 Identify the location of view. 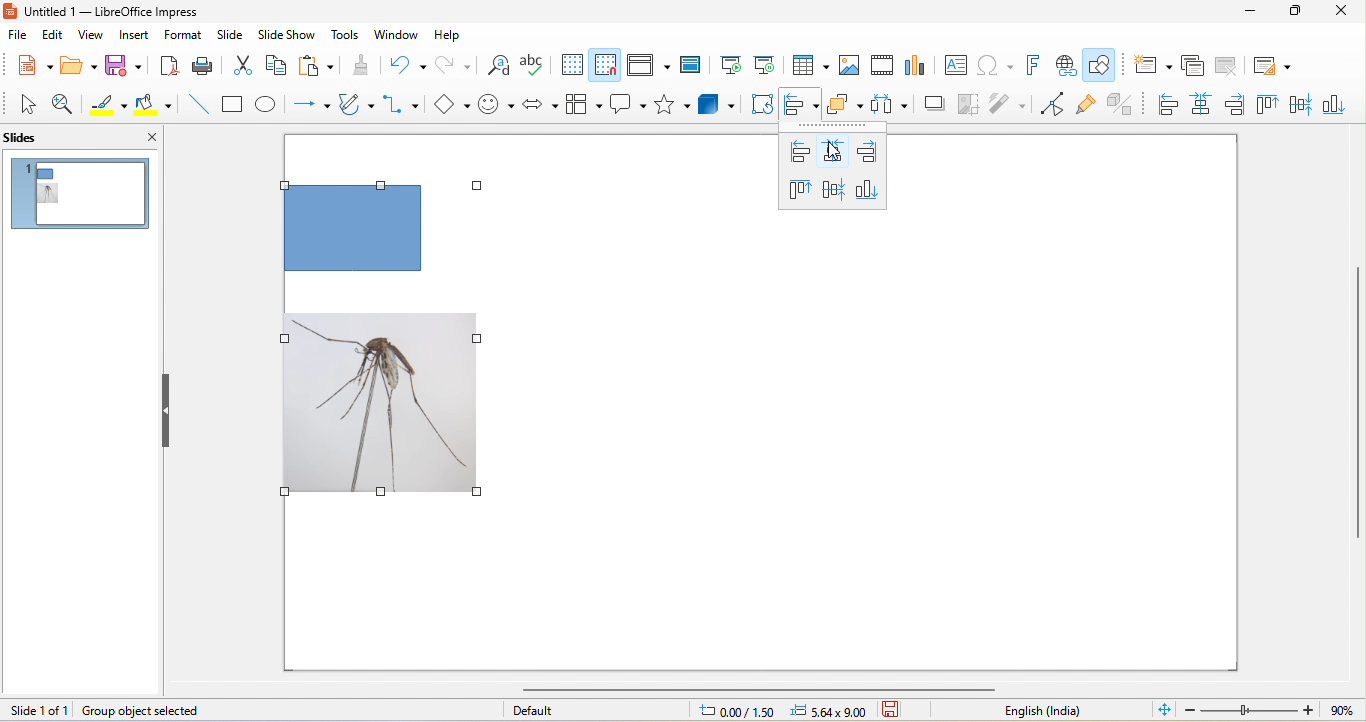
(89, 37).